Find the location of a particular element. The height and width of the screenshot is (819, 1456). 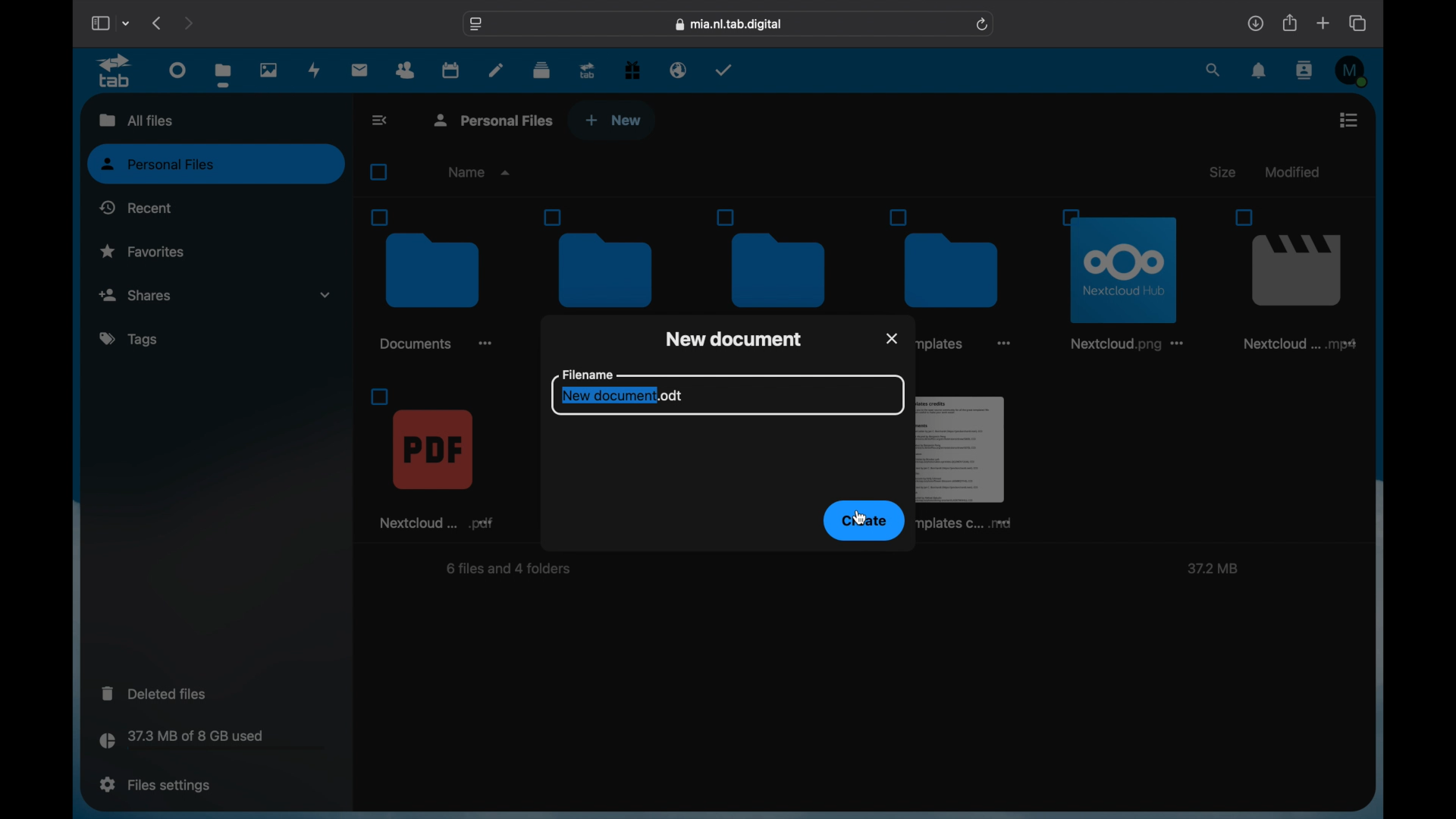

new tab is located at coordinates (1323, 23).